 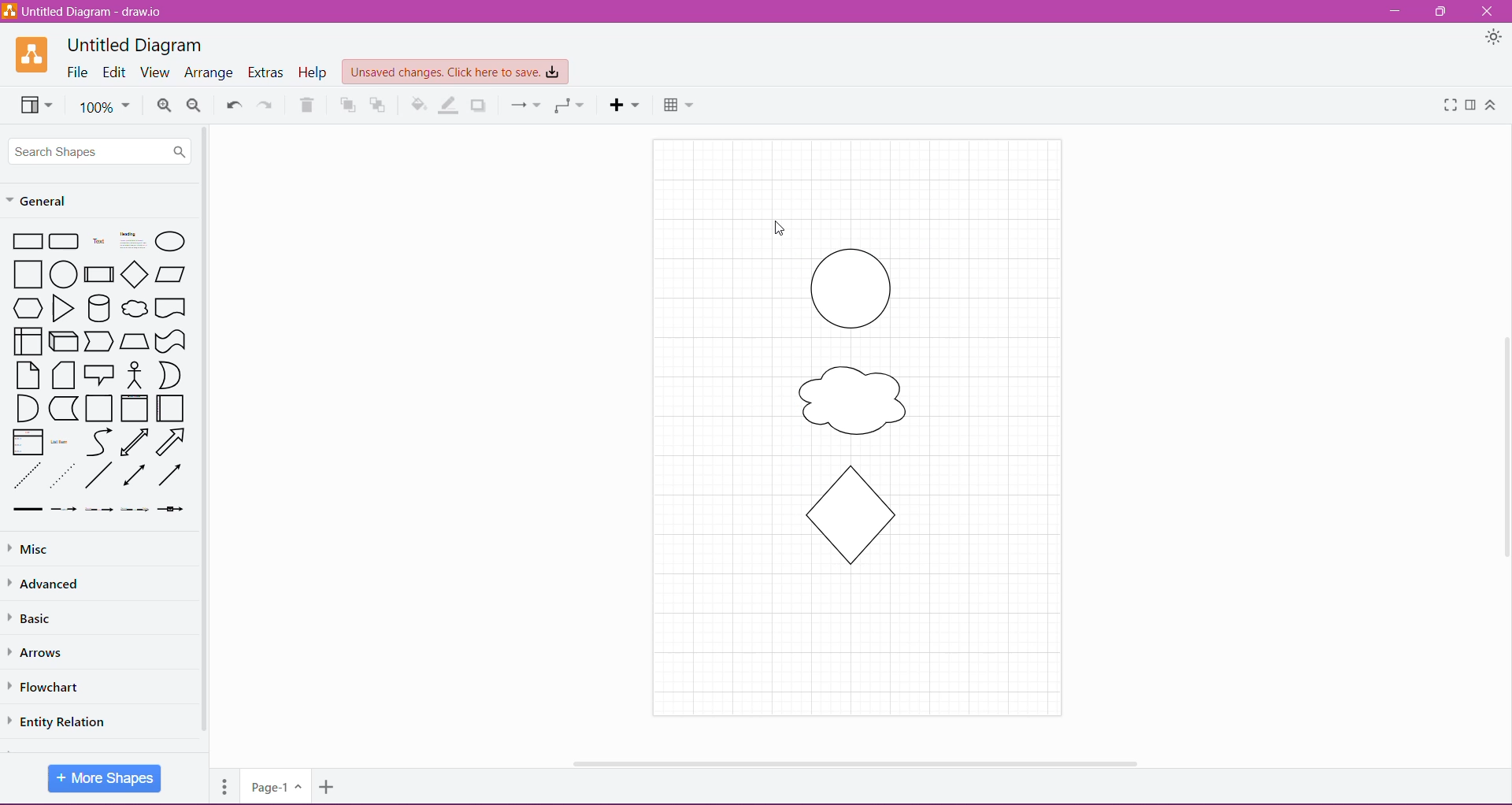 I want to click on Misc, so click(x=31, y=550).